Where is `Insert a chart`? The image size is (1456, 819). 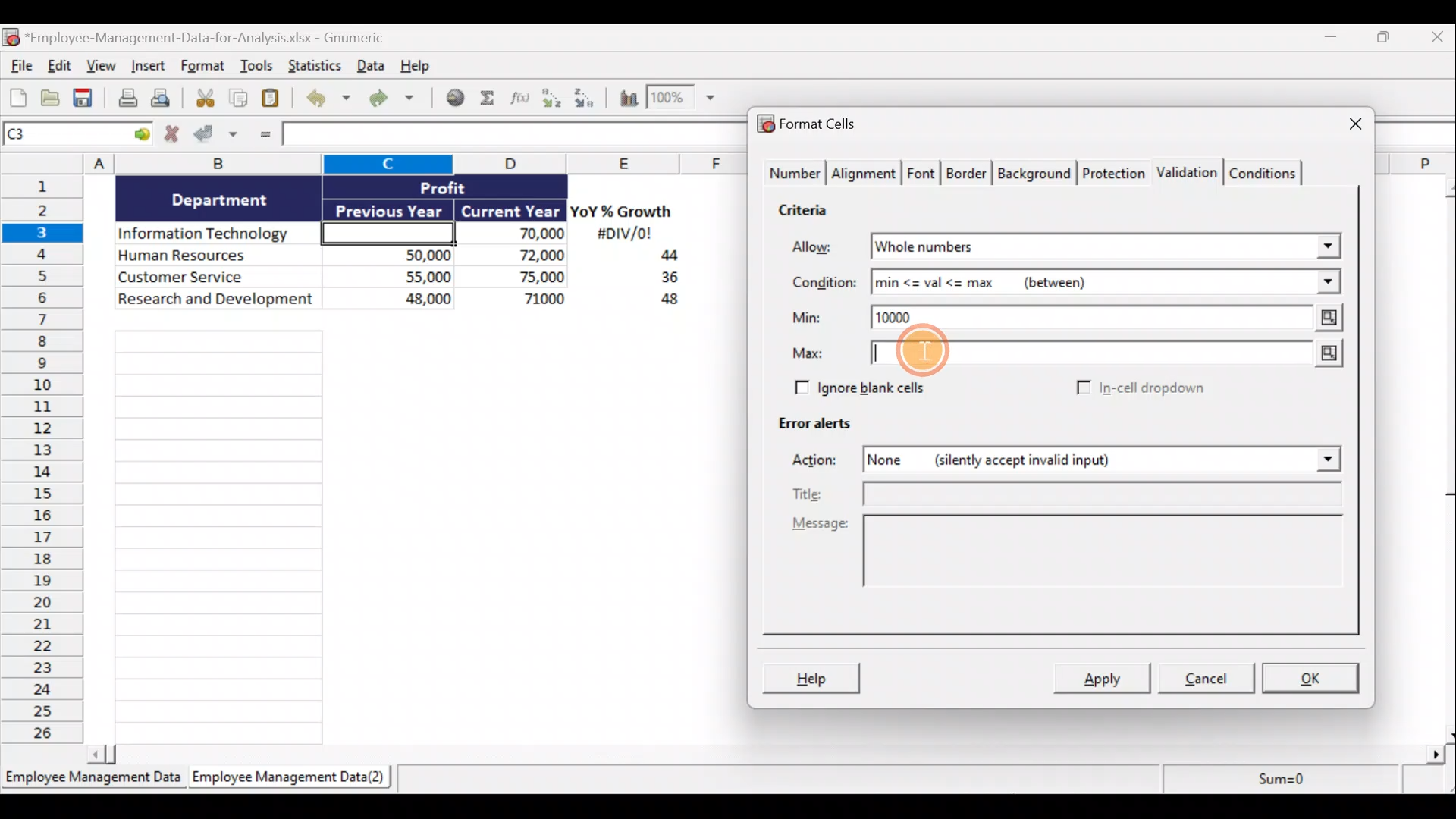 Insert a chart is located at coordinates (622, 97).